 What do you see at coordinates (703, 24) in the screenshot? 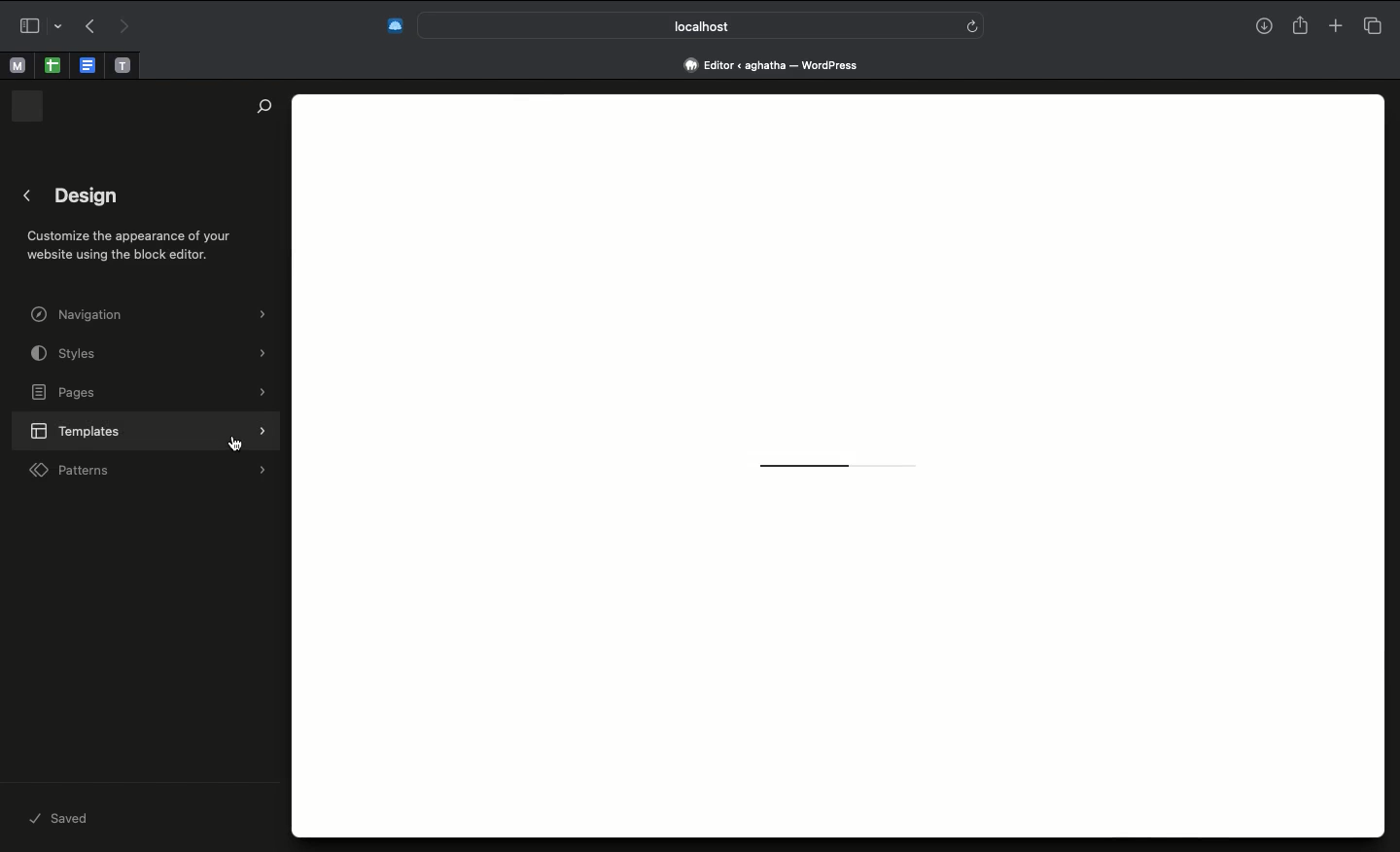
I see `Search bar` at bounding box center [703, 24].